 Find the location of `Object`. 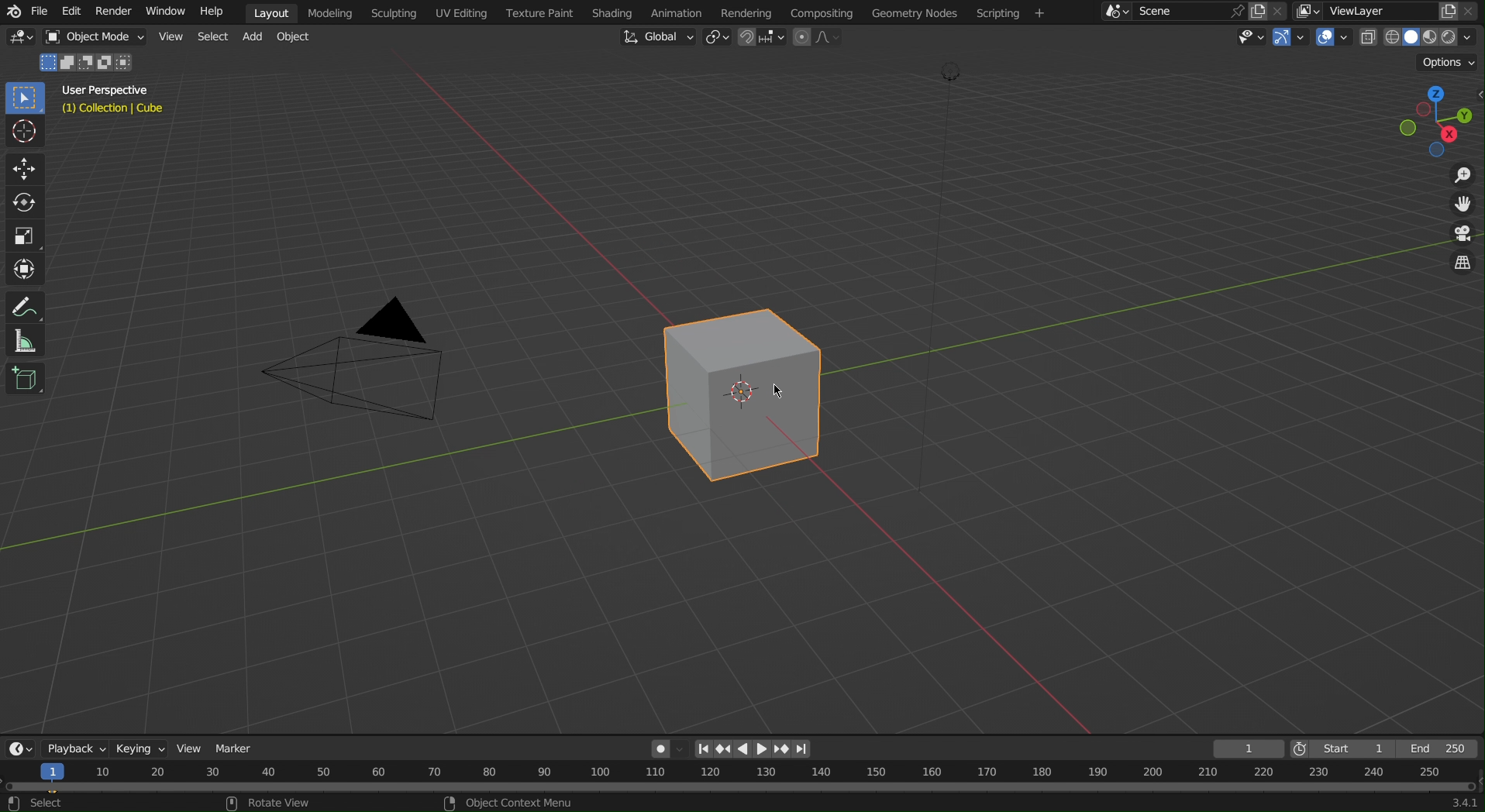

Object is located at coordinates (294, 36).